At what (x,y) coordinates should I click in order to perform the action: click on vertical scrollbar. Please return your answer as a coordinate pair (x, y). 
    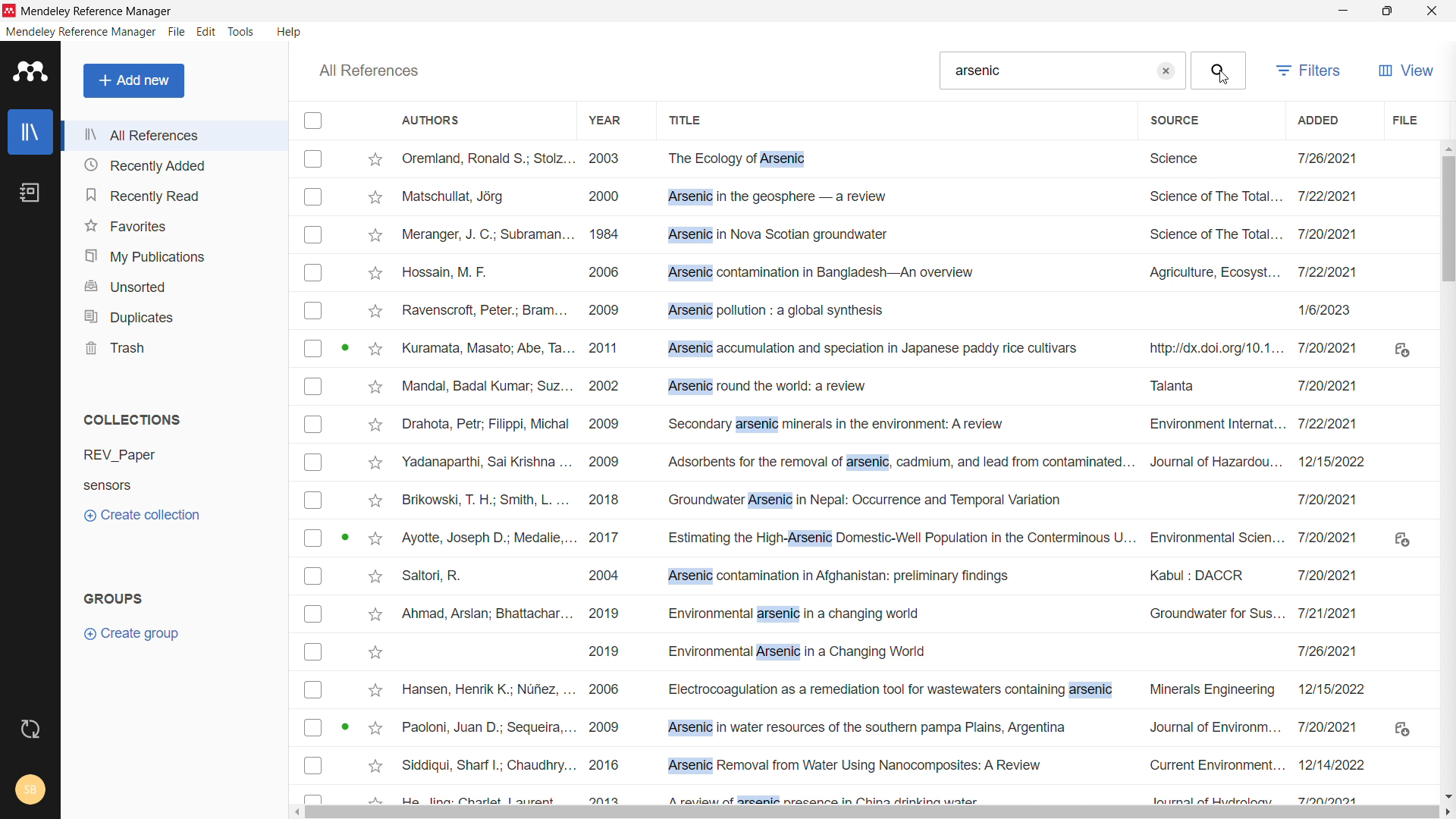
    Looking at the image, I should click on (1447, 222).